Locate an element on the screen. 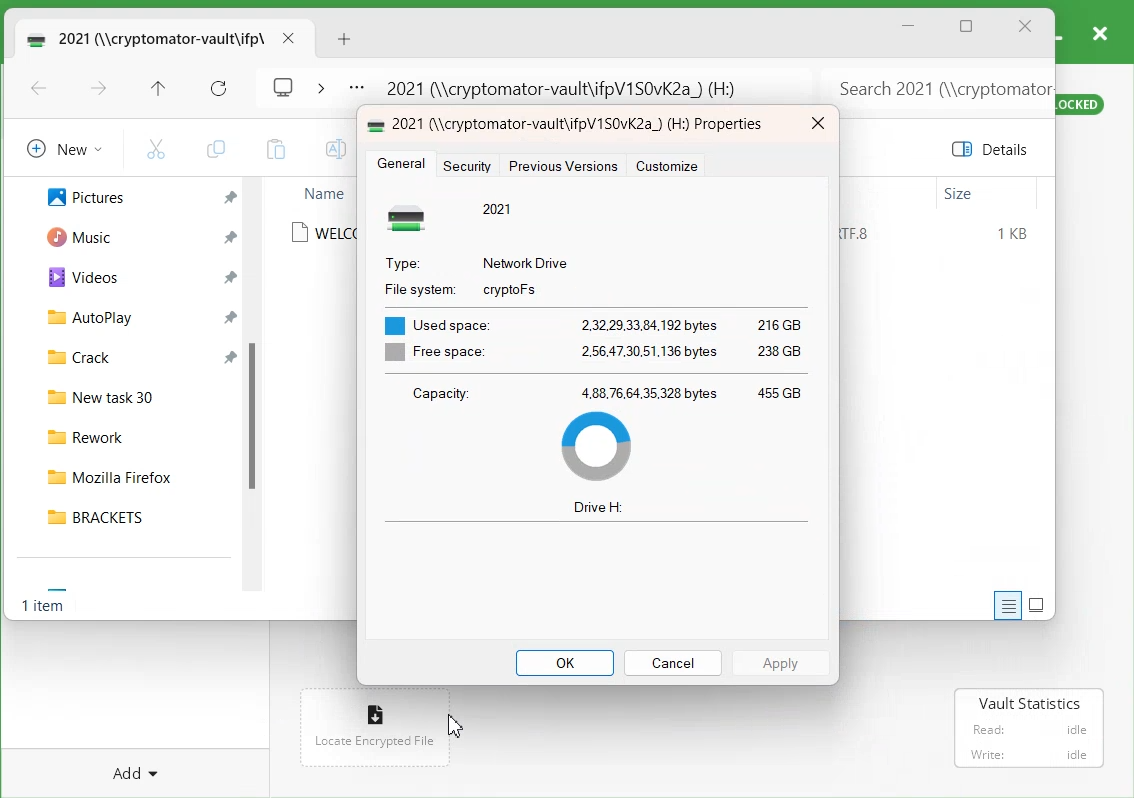 This screenshot has width=1134, height=798. Paste is located at coordinates (275, 149).